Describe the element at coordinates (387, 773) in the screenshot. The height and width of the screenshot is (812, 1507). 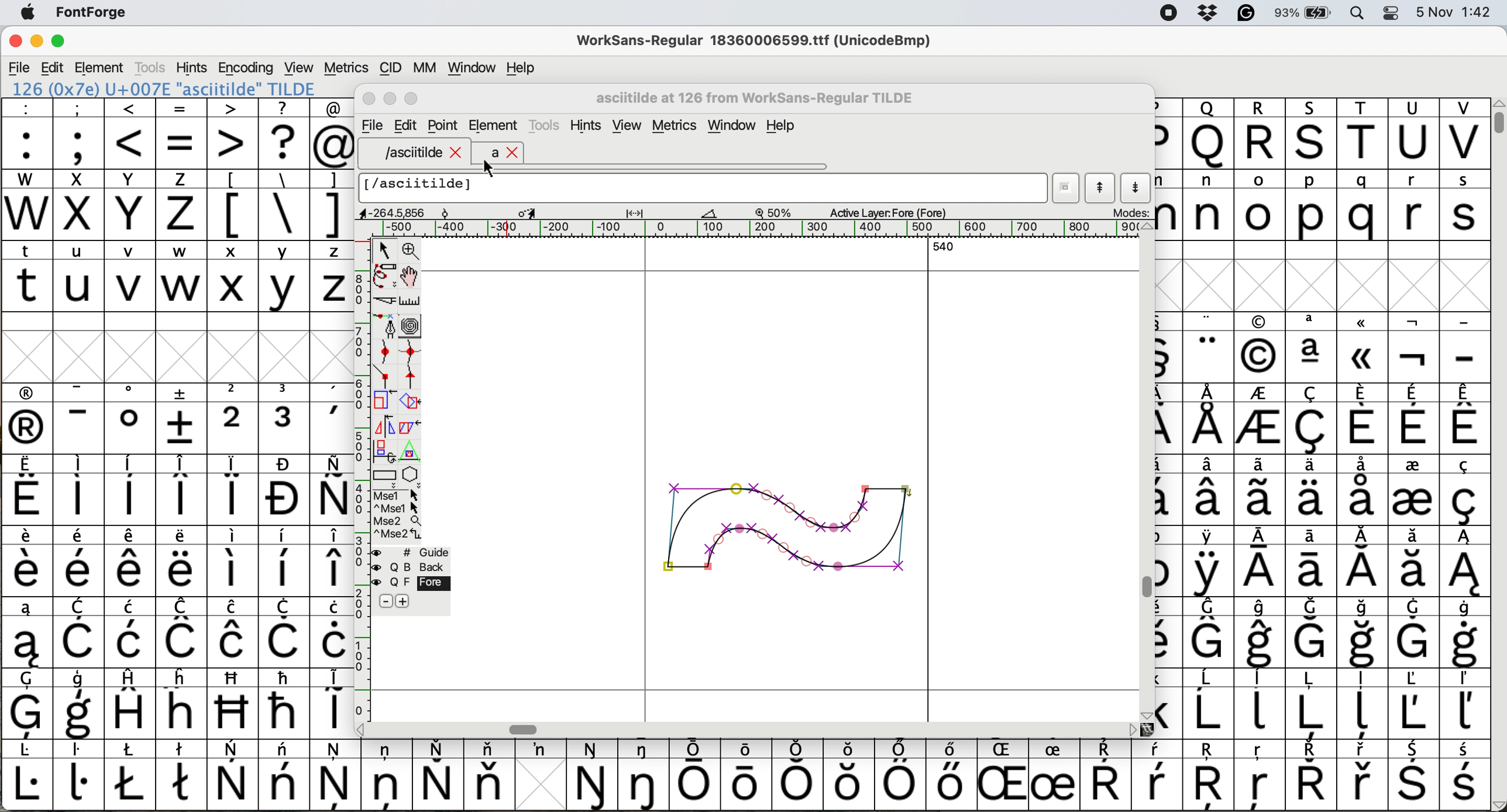
I see `symbol` at that location.